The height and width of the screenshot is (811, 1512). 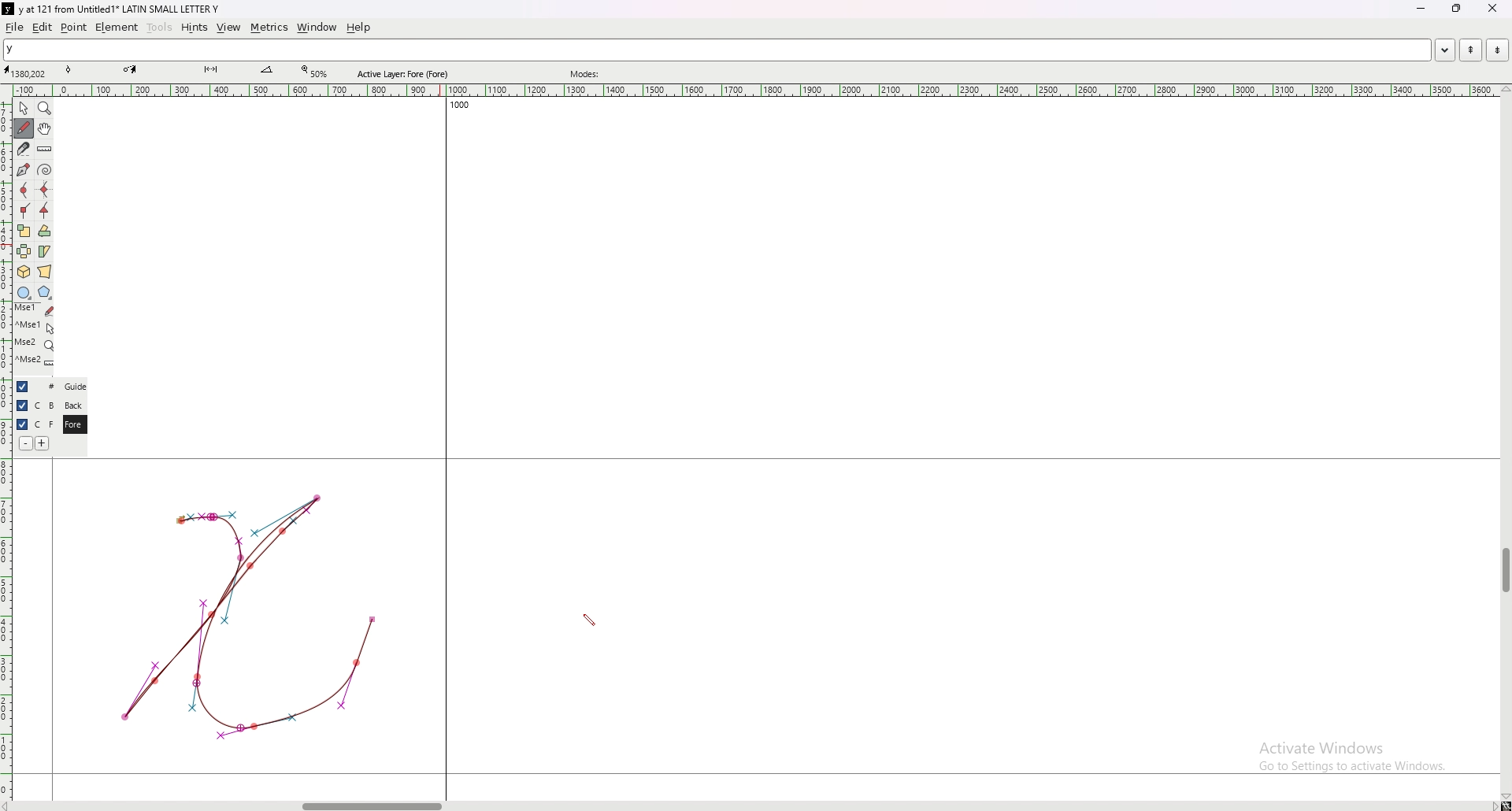 I want to click on metrics, so click(x=269, y=28).